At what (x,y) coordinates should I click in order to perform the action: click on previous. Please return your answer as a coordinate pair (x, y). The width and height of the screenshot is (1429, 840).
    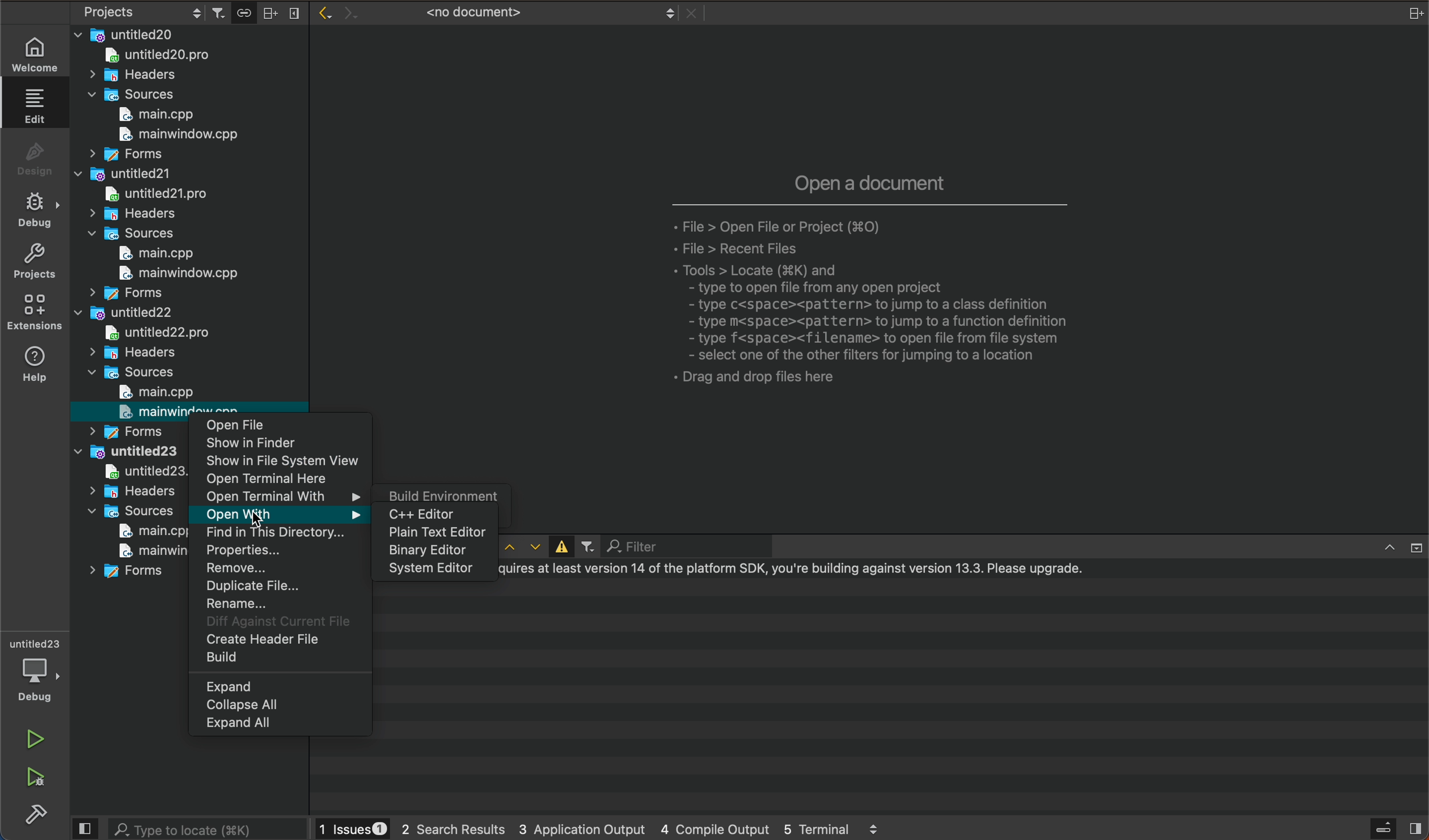
    Looking at the image, I should click on (322, 12).